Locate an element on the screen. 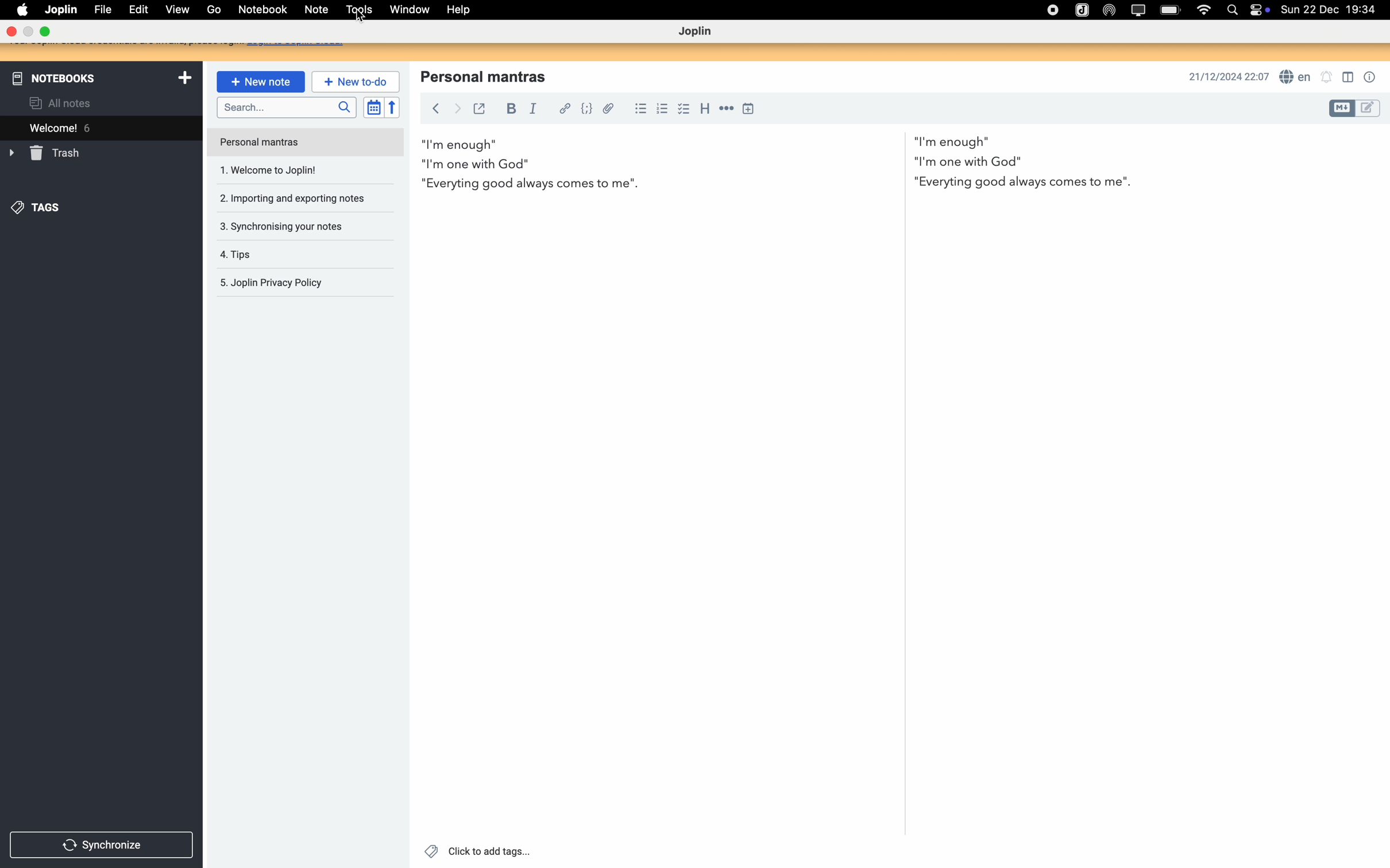 This screenshot has width=1390, height=868. toggle editor layout is located at coordinates (1349, 77).